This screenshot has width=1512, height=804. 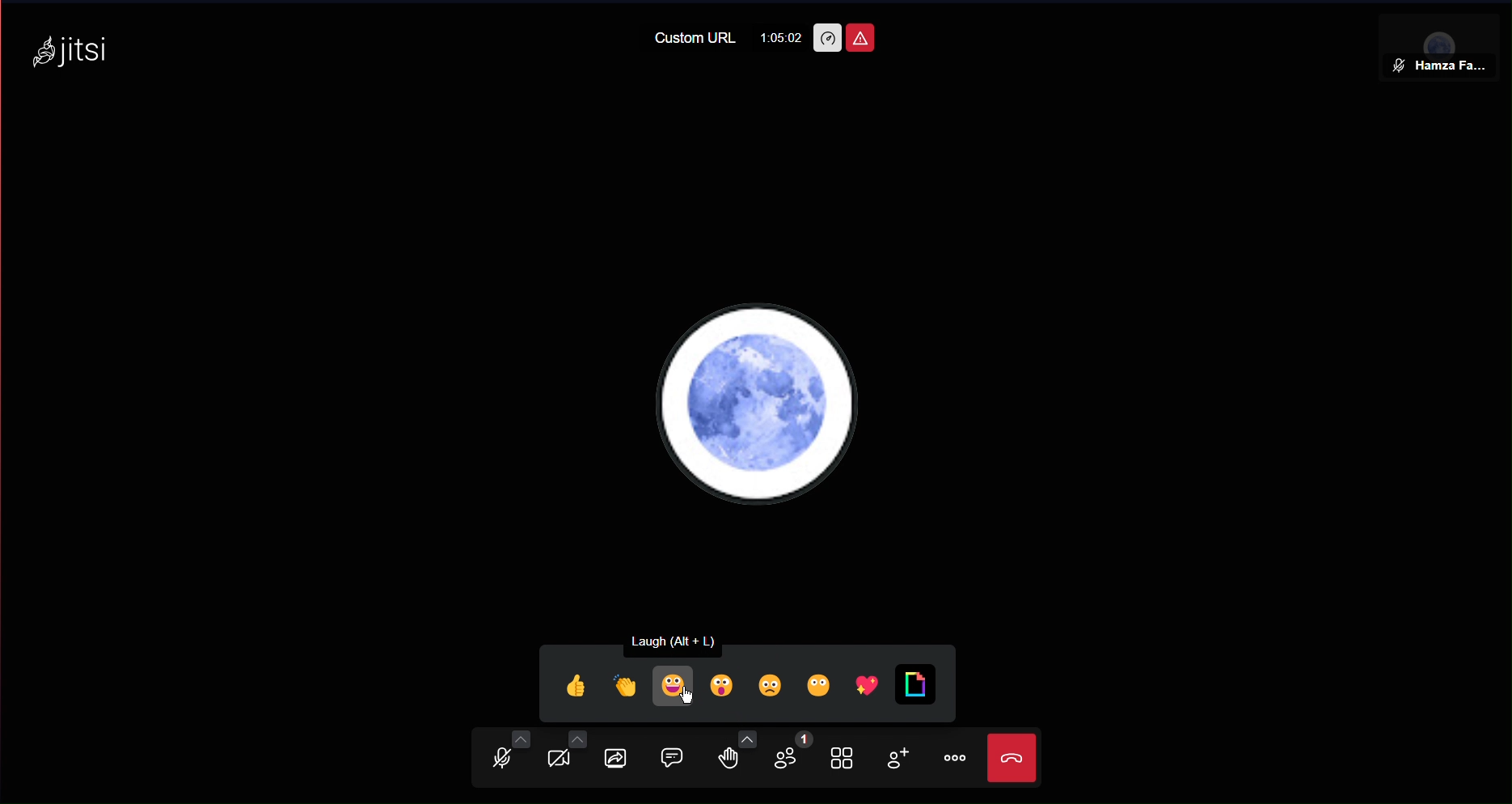 I want to click on Raise Hand, so click(x=741, y=760).